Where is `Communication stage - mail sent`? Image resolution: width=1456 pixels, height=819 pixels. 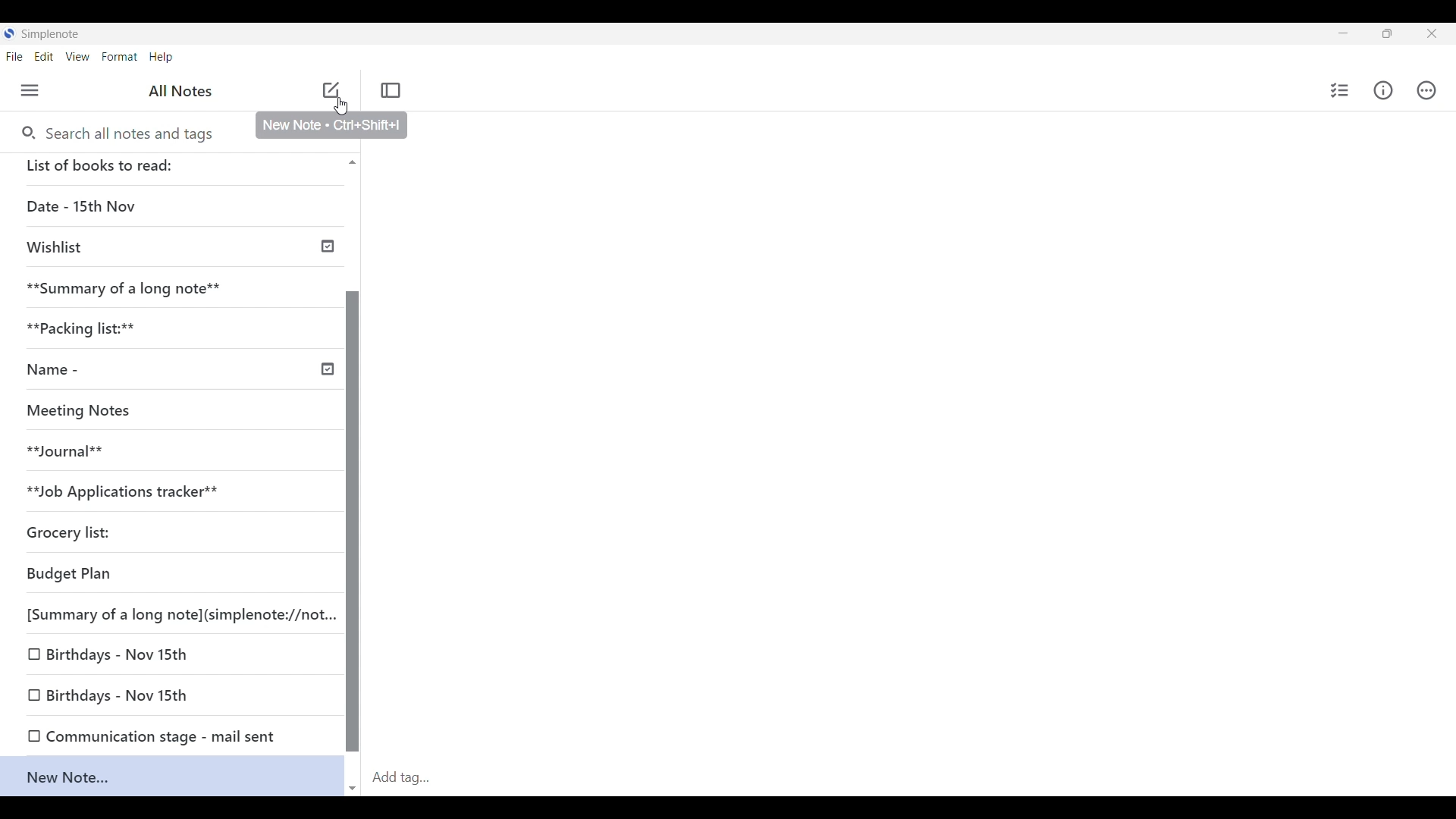 Communication stage - mail sent is located at coordinates (156, 736).